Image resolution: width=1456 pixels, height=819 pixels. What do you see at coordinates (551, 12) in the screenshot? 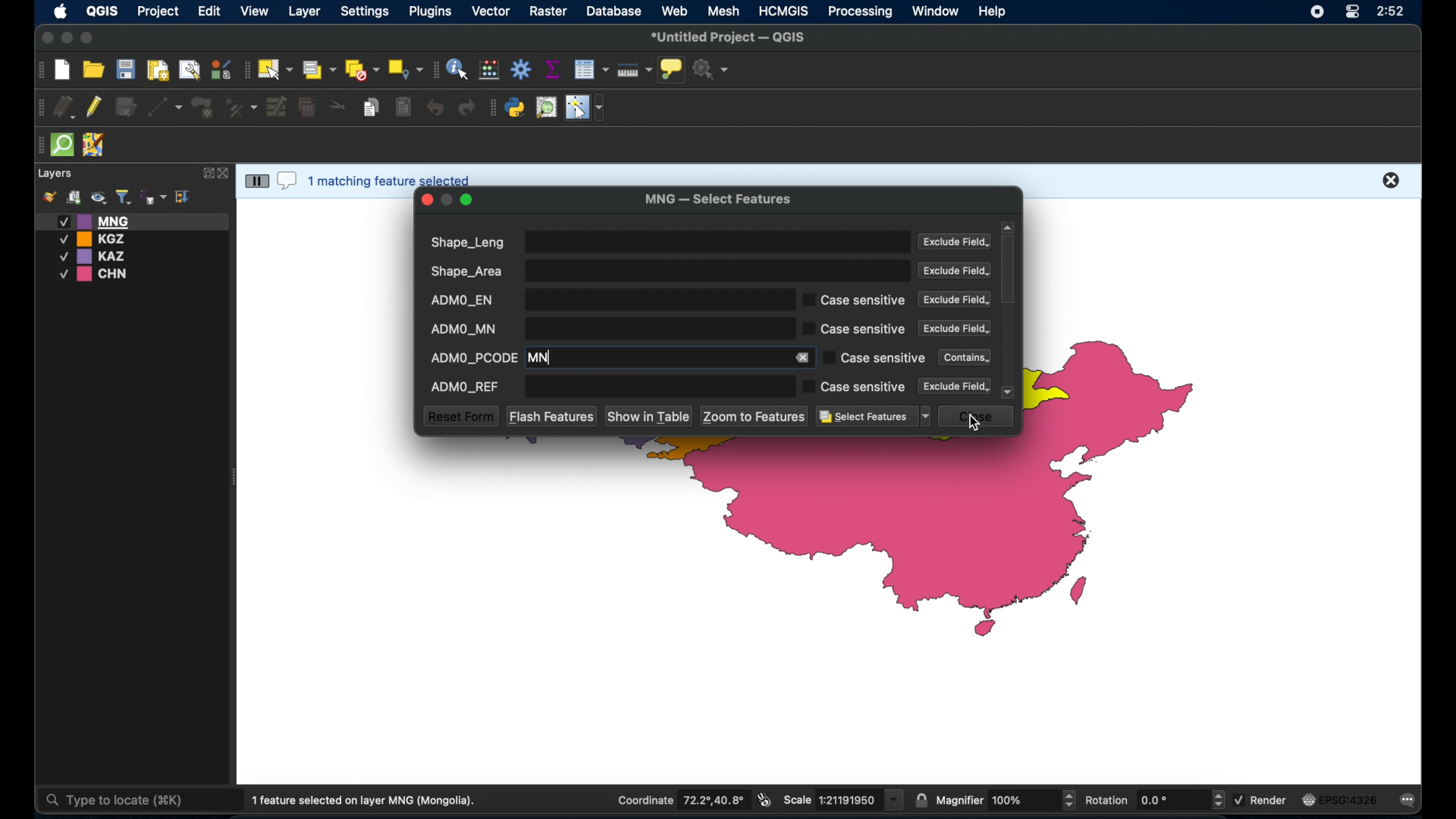
I see `raster` at bounding box center [551, 12].